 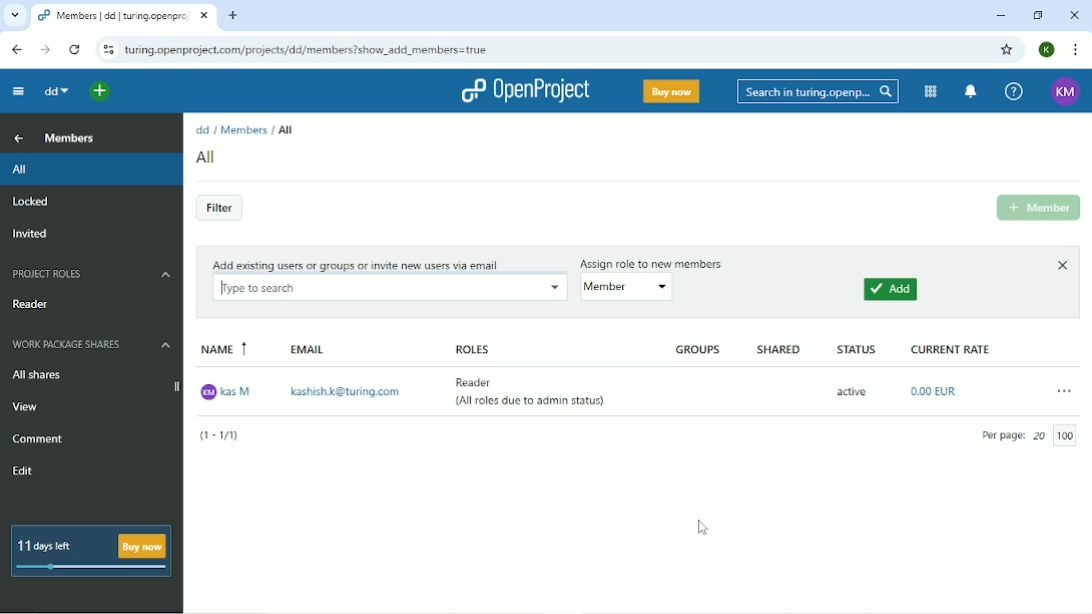 What do you see at coordinates (482, 381) in the screenshot?
I see `Reader` at bounding box center [482, 381].